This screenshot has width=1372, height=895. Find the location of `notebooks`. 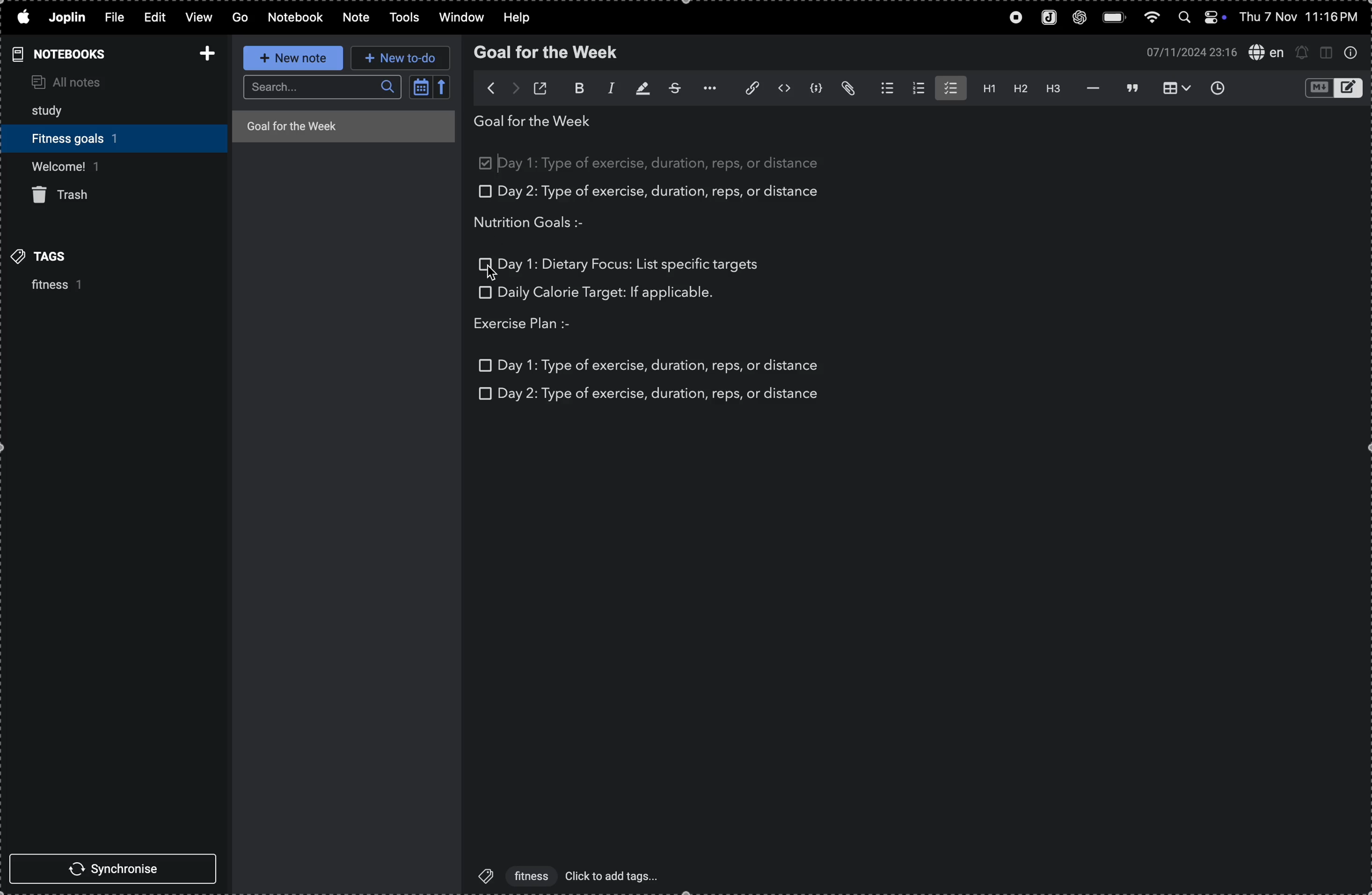

notebooks is located at coordinates (66, 54).